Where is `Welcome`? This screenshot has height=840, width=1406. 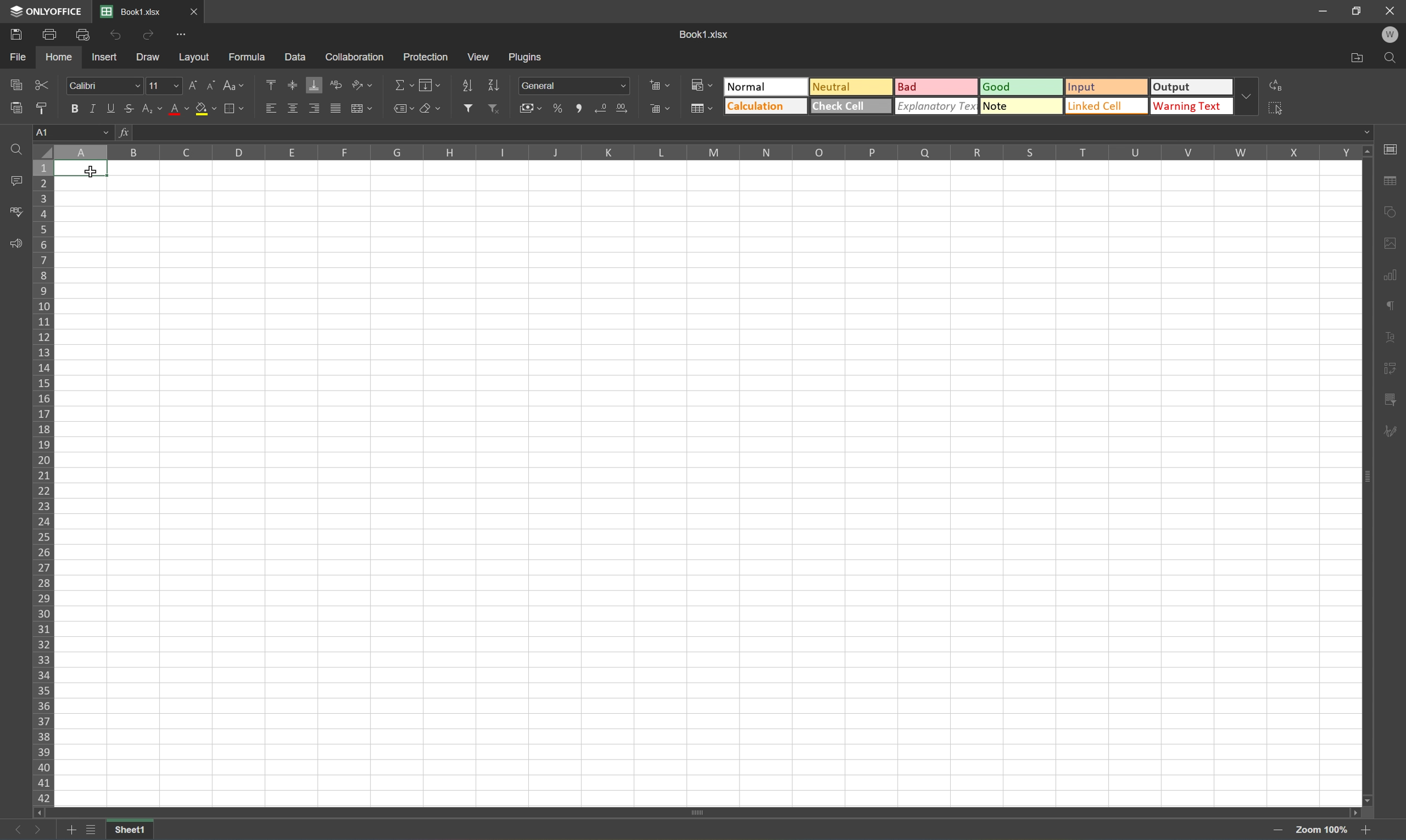 Welcome is located at coordinates (1394, 36).